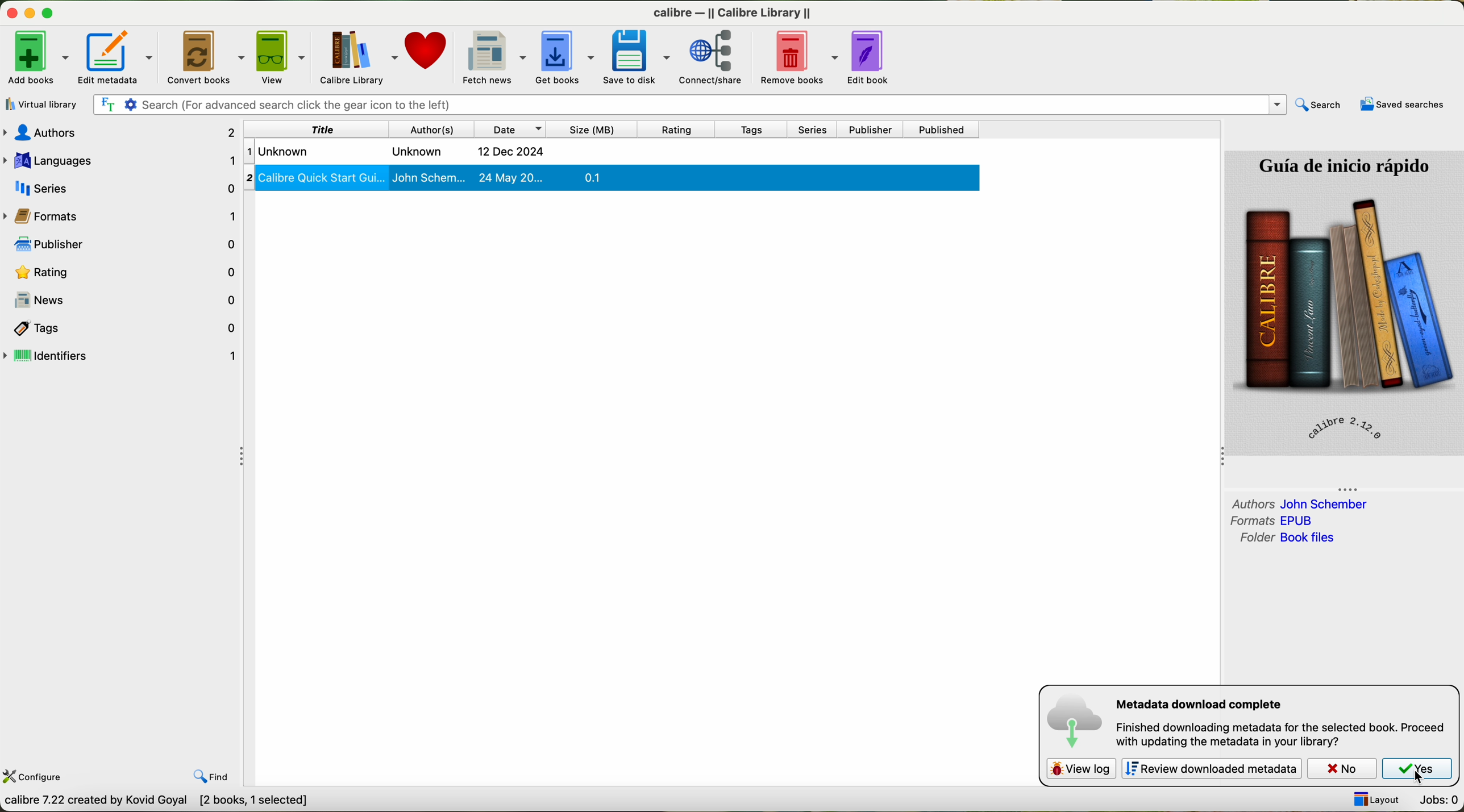  What do you see at coordinates (868, 129) in the screenshot?
I see `publisher` at bounding box center [868, 129].